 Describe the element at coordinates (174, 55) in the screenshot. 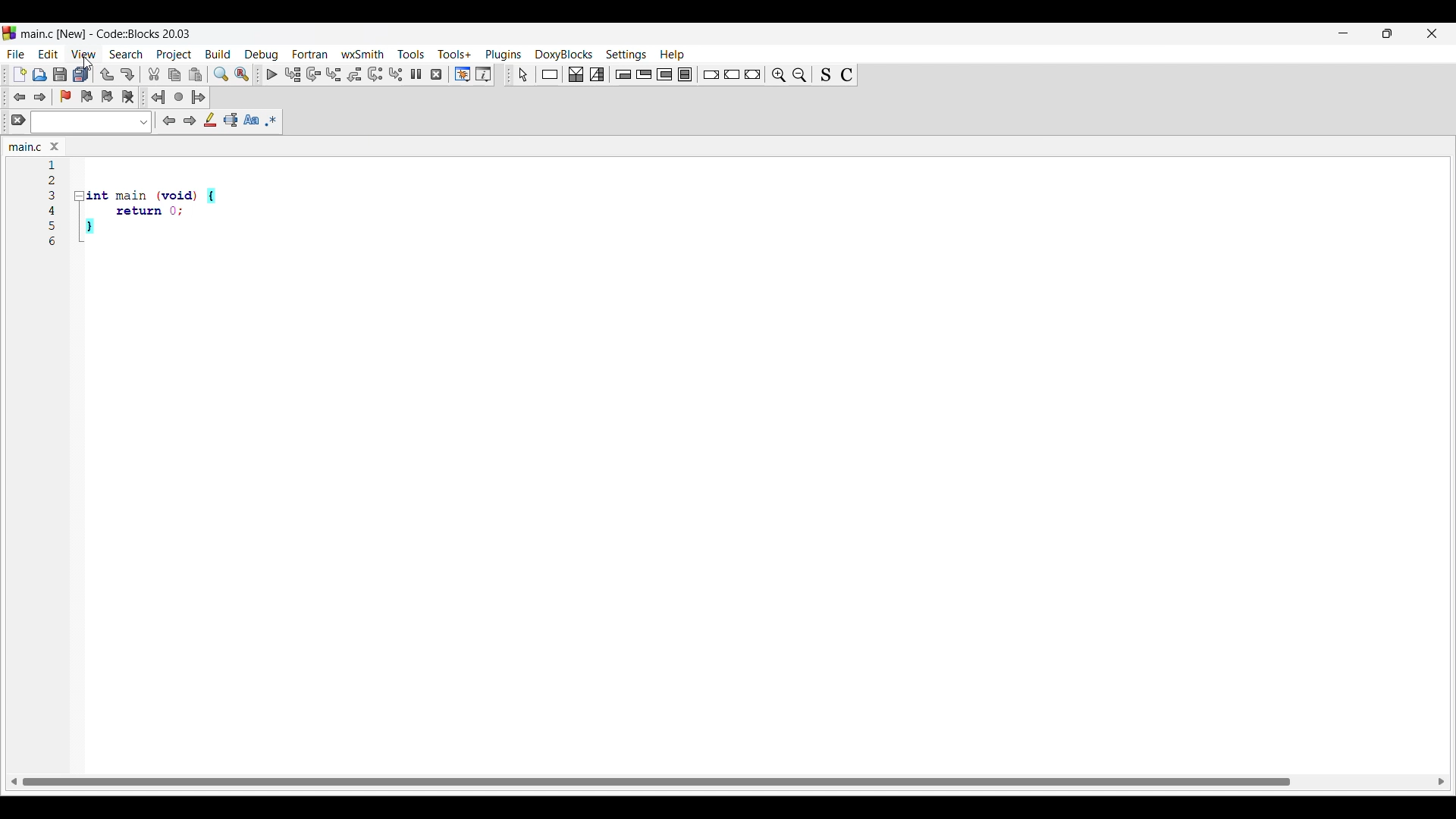

I see `Project menu` at that location.